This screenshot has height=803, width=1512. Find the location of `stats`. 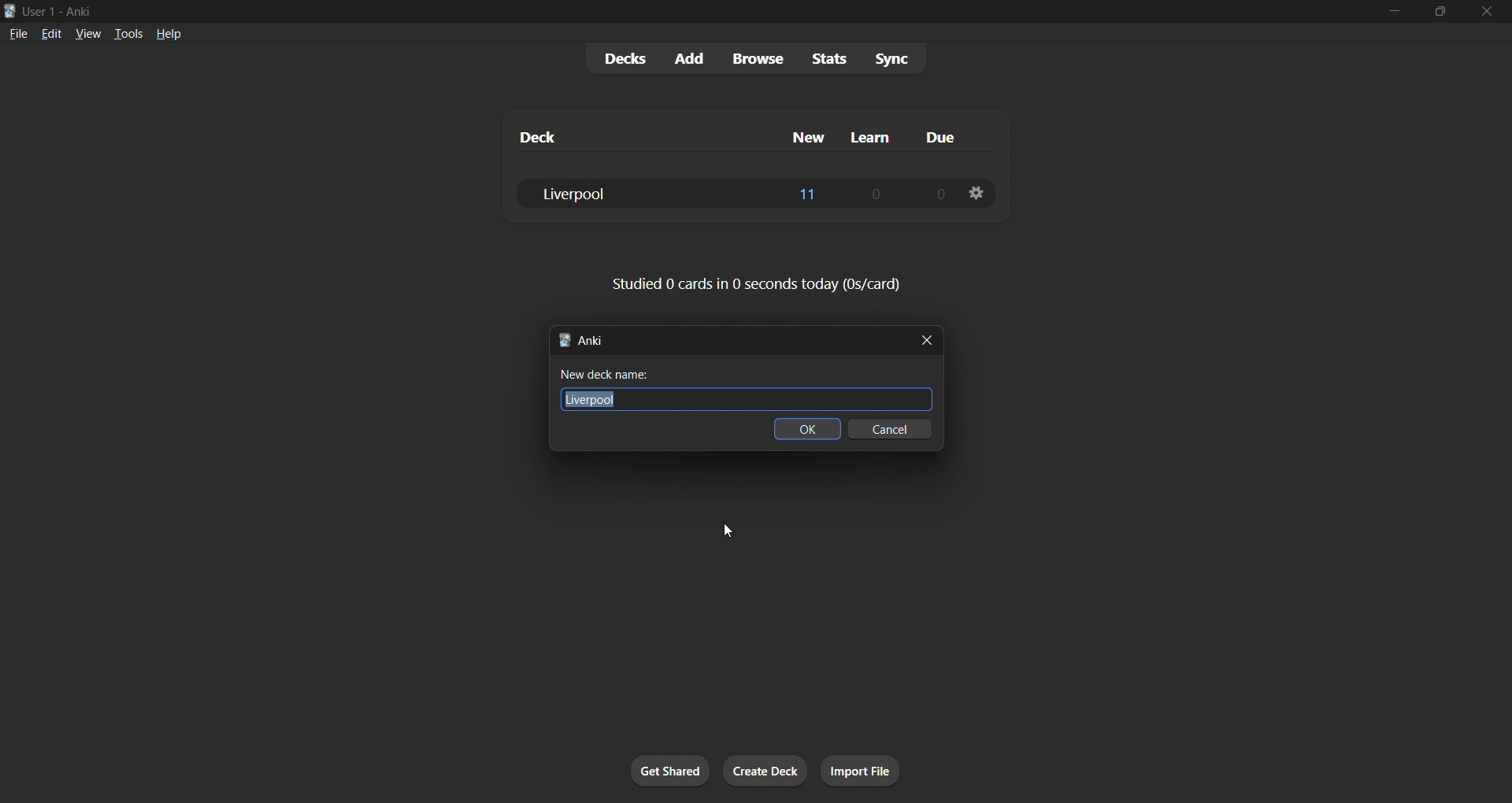

stats is located at coordinates (824, 58).